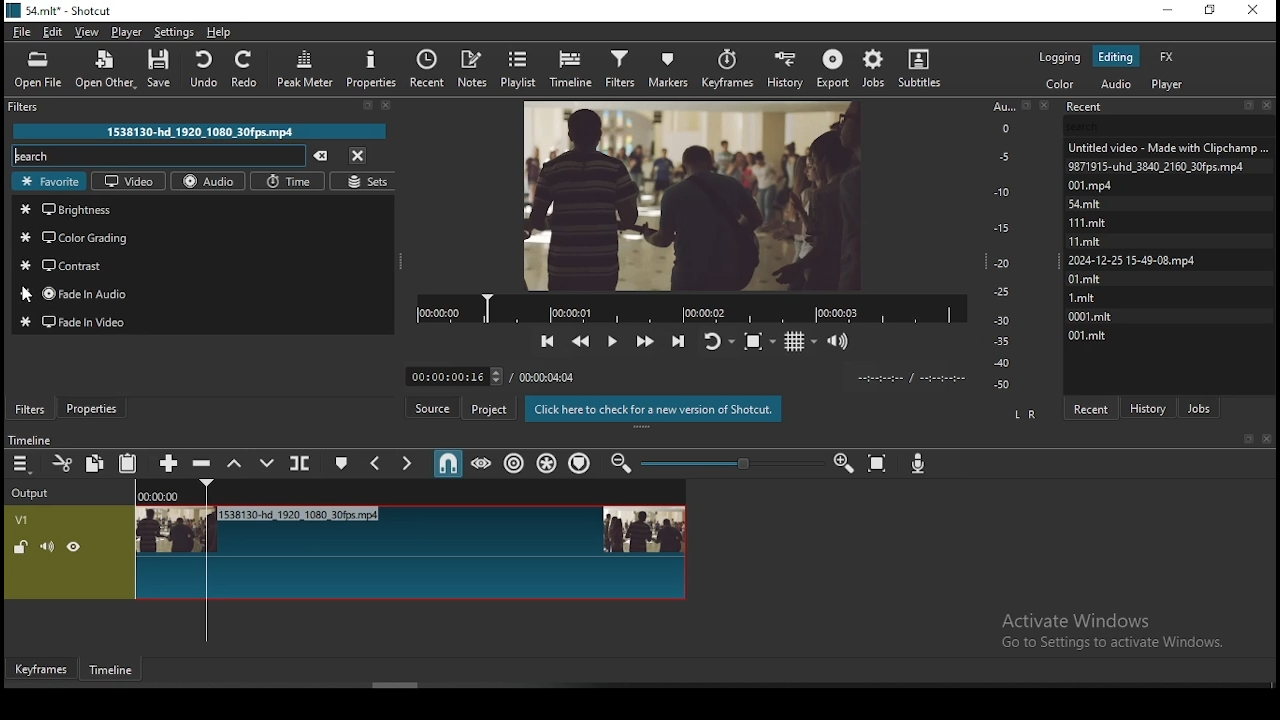 The width and height of the screenshot is (1280, 720). Describe the element at coordinates (162, 68) in the screenshot. I see `save` at that location.